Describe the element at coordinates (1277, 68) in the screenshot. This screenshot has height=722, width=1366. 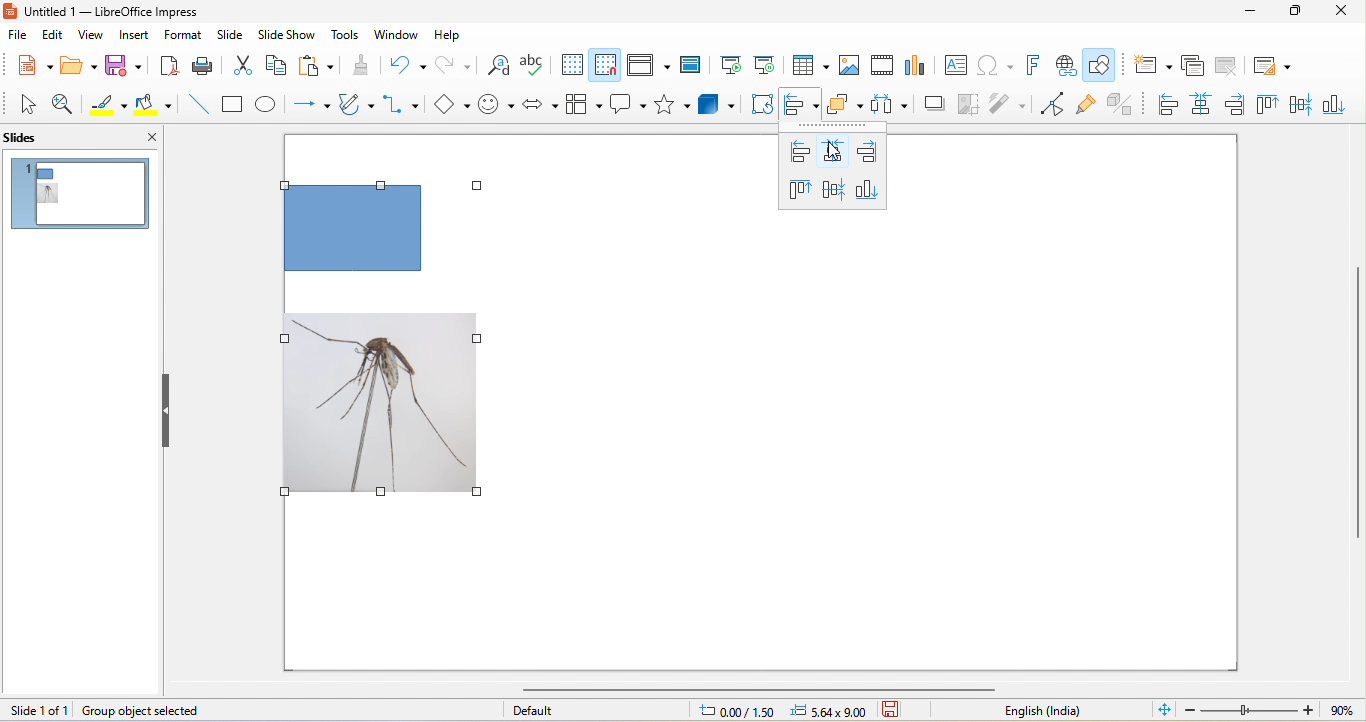
I see `slide layout` at that location.